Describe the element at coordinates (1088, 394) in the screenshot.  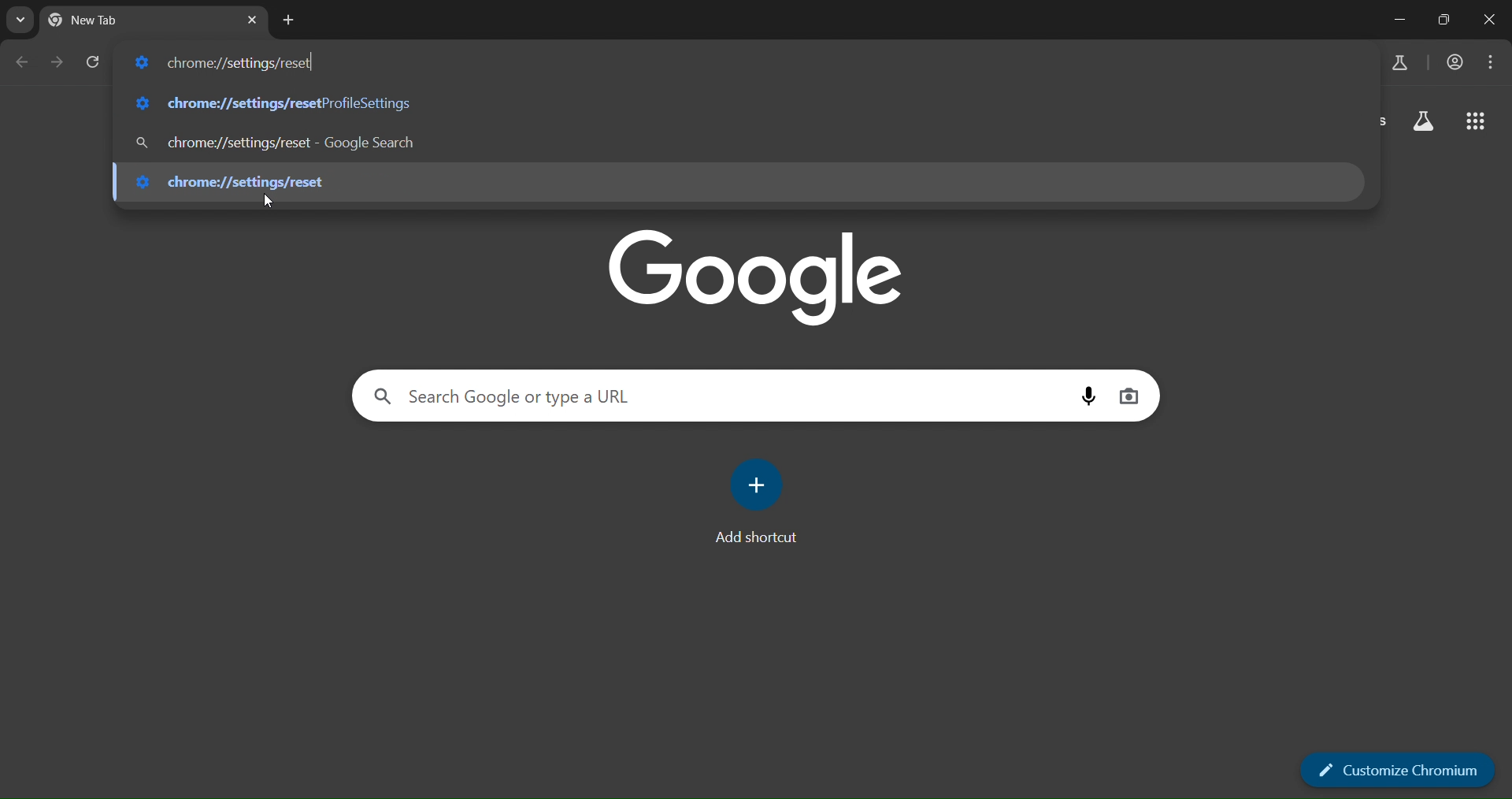
I see `voice search` at that location.